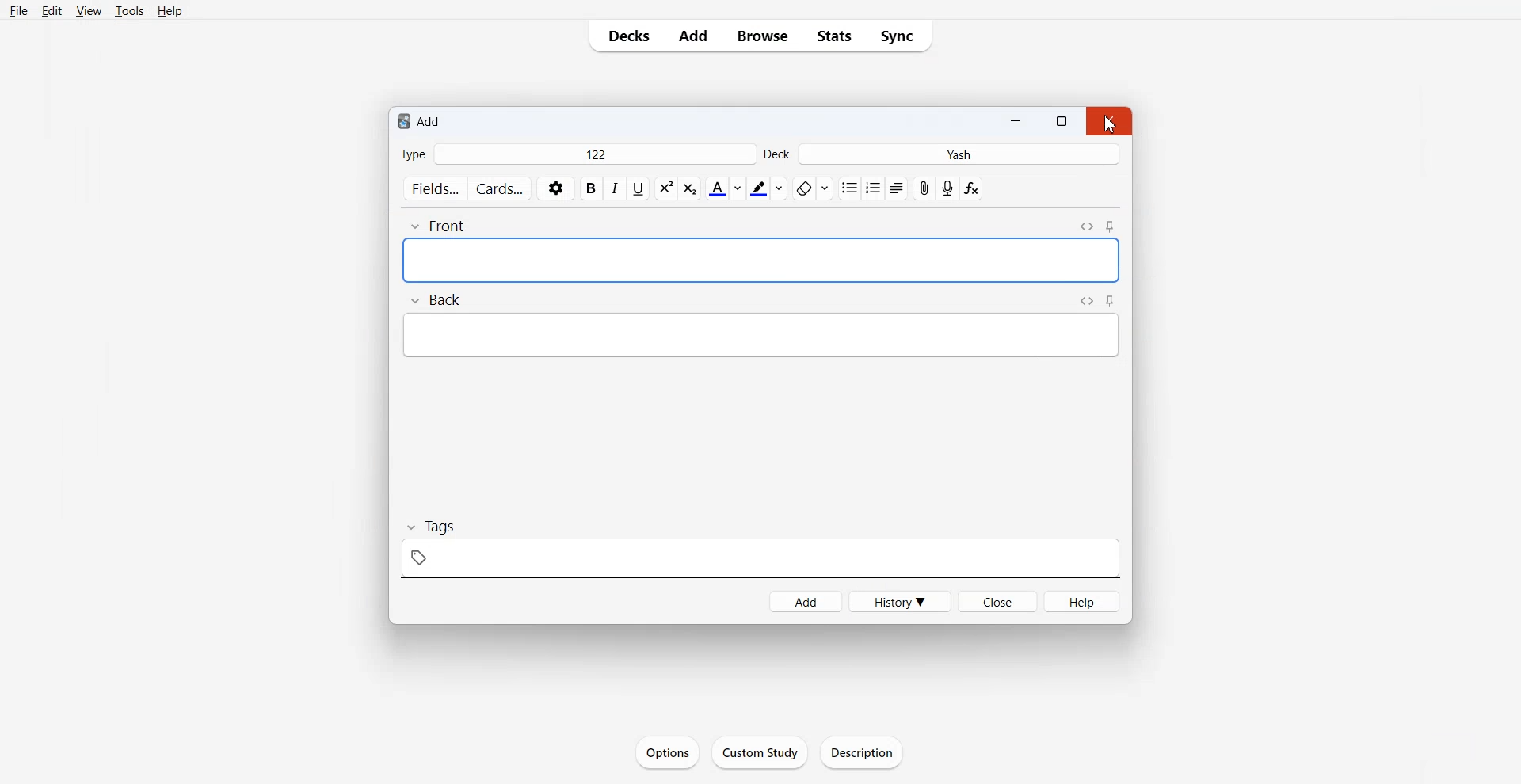 Image resolution: width=1521 pixels, height=784 pixels. I want to click on Toggle HTML, so click(1086, 301).